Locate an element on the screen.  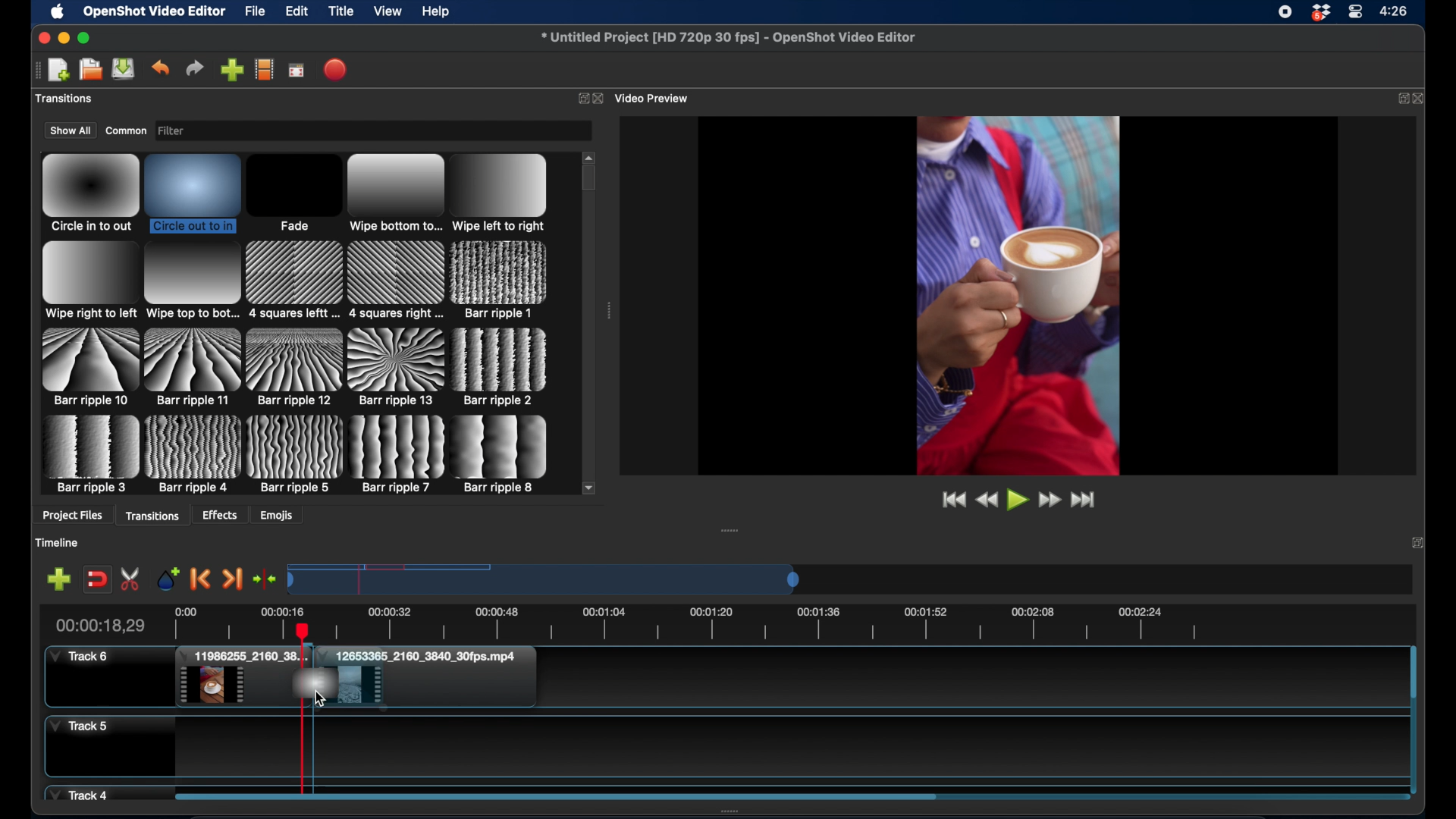
transition is located at coordinates (90, 193).